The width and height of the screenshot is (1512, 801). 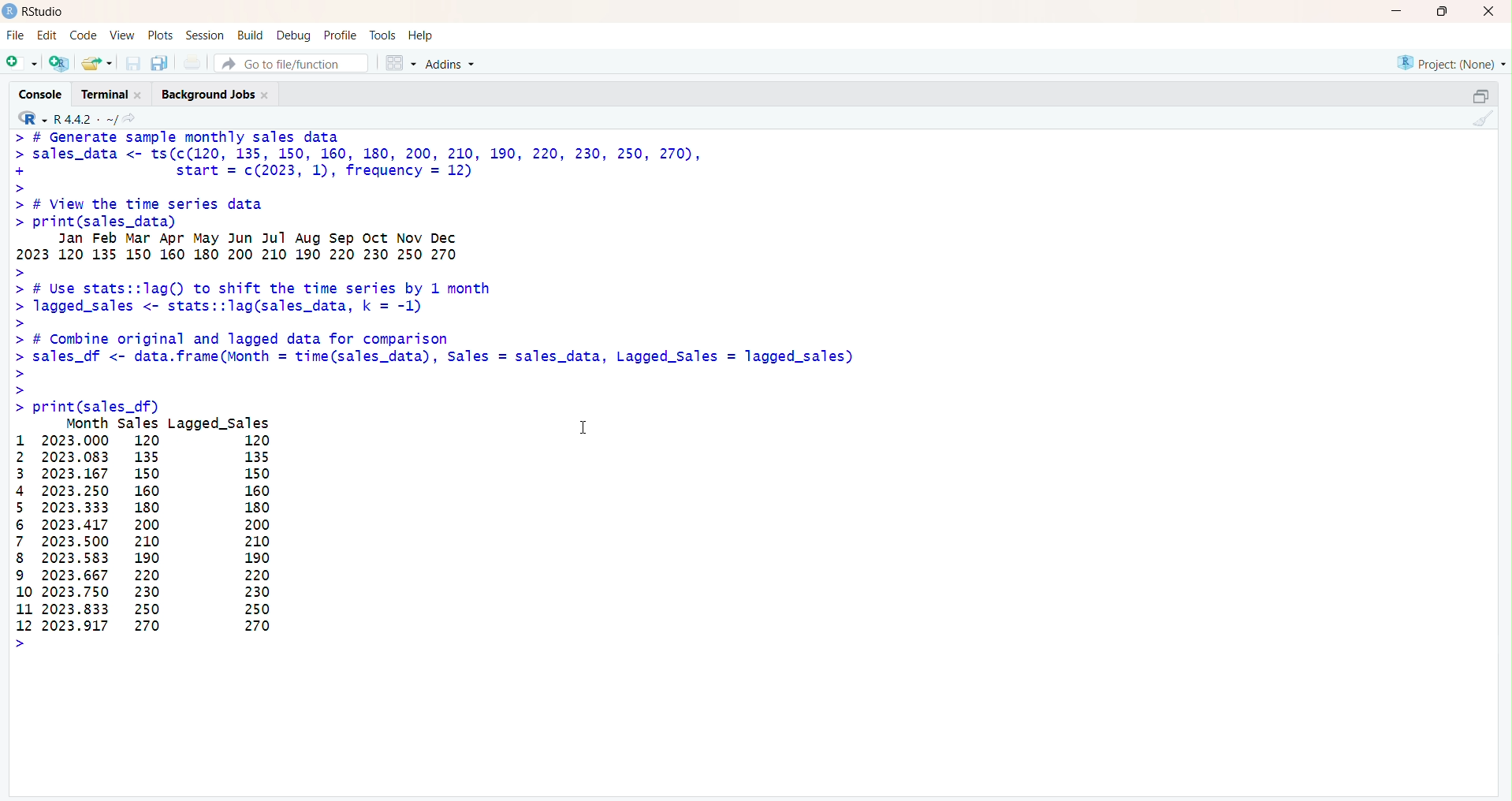 I want to click on > # View the Time series data> print(sales_data), so click(x=186, y=212).